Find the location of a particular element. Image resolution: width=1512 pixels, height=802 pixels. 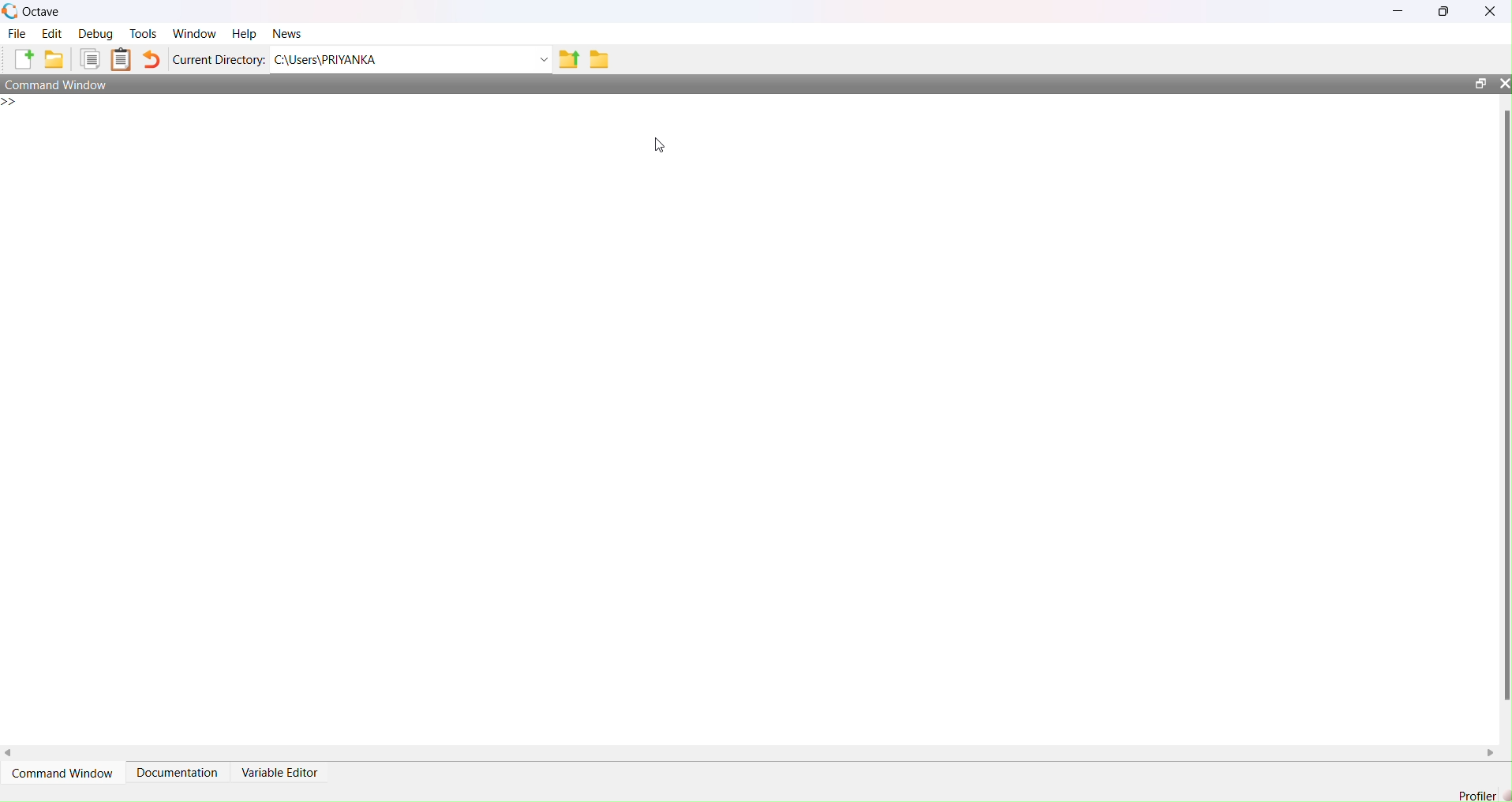

Documentation is located at coordinates (174, 766).